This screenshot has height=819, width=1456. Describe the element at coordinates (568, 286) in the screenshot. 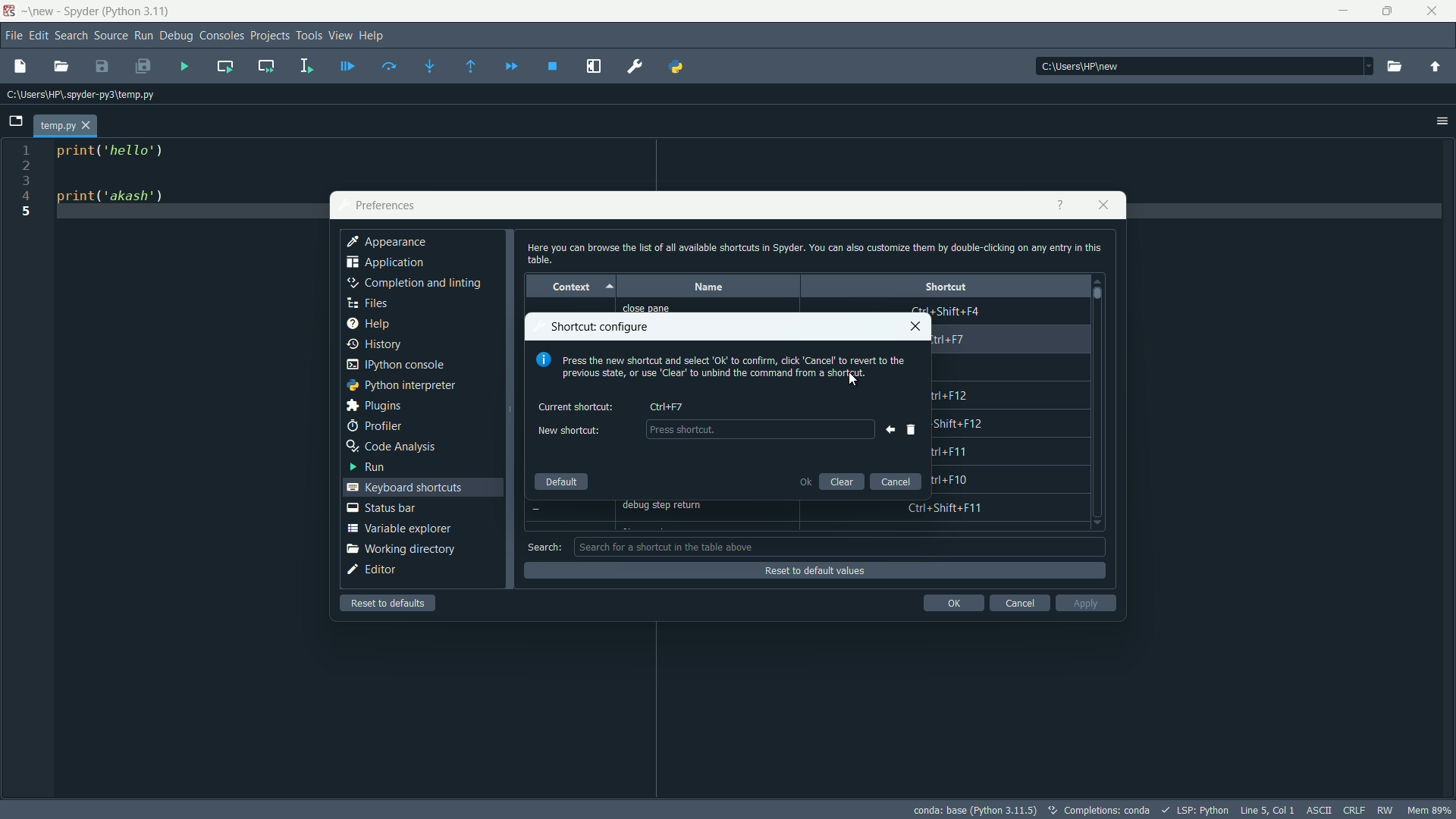

I see `context` at that location.